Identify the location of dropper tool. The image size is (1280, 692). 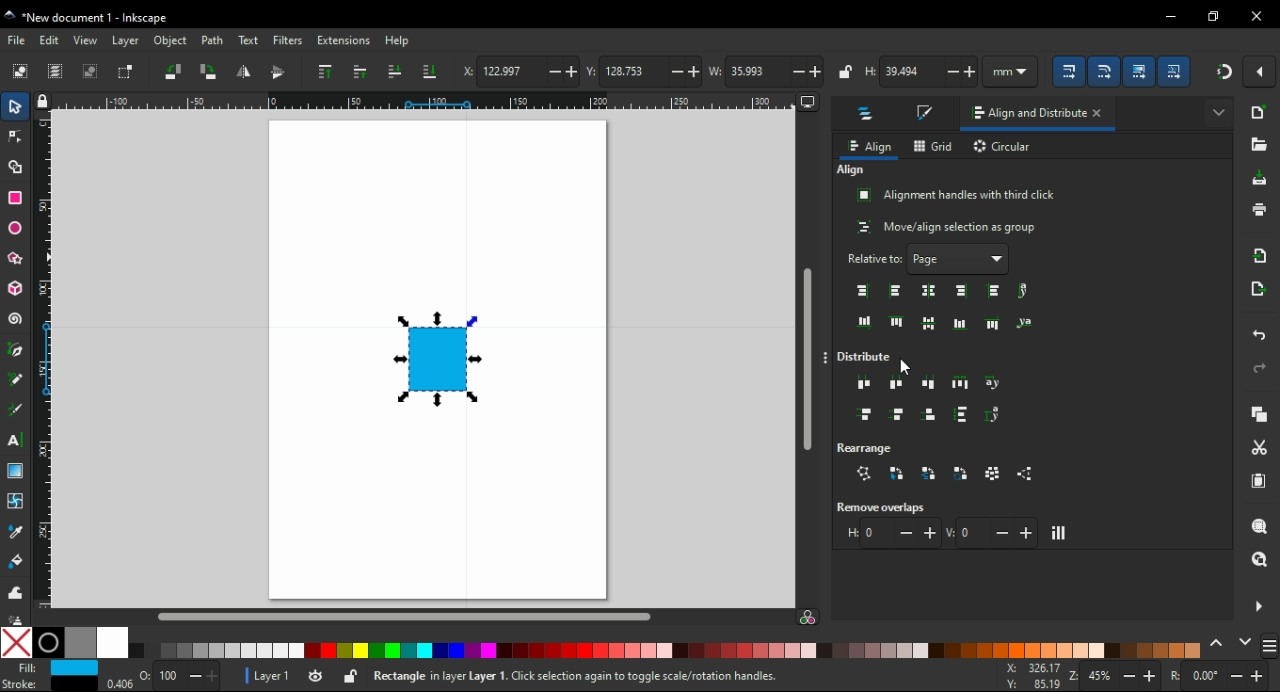
(17, 532).